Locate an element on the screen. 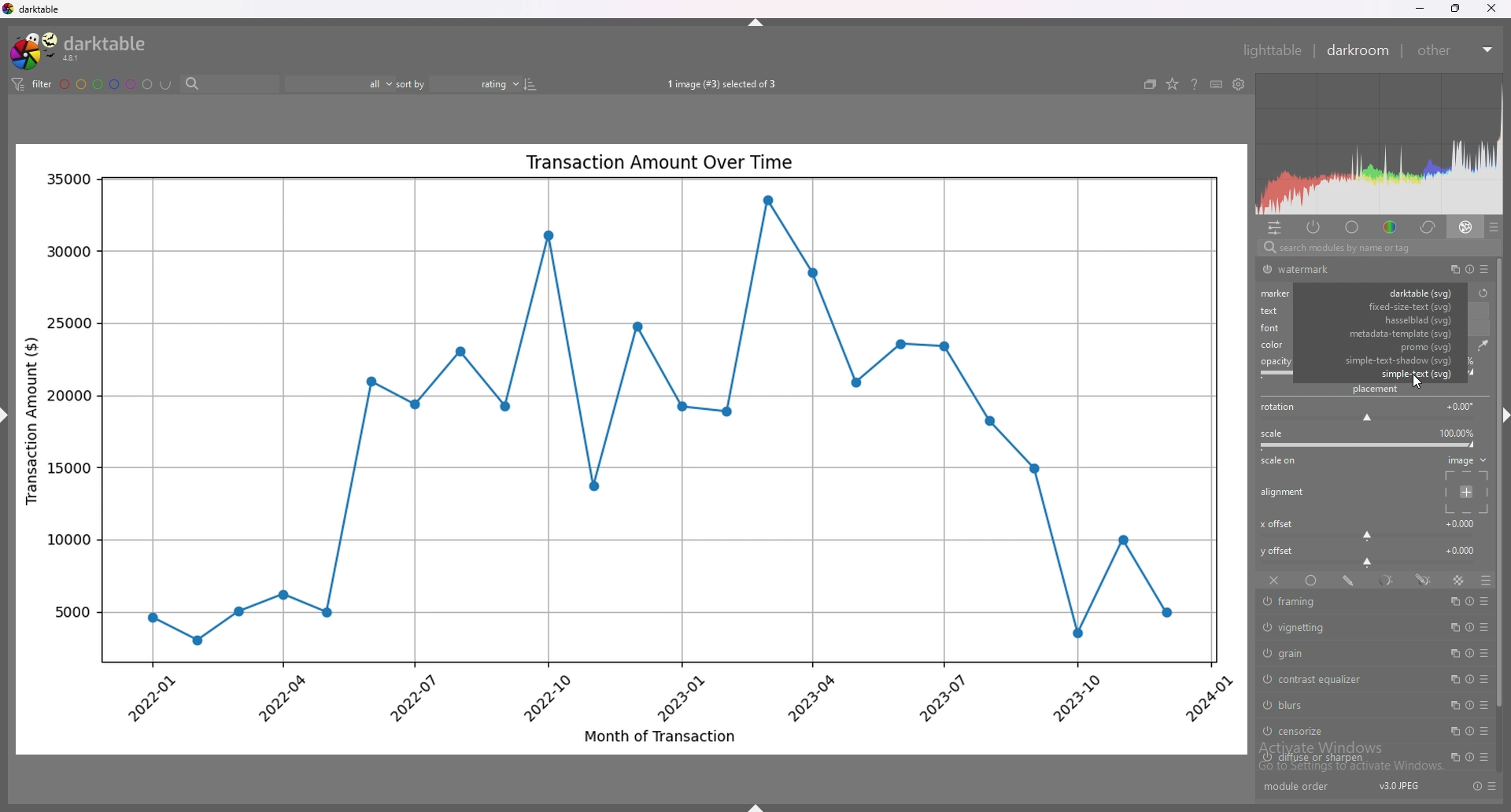  scale on is located at coordinates (1280, 463).